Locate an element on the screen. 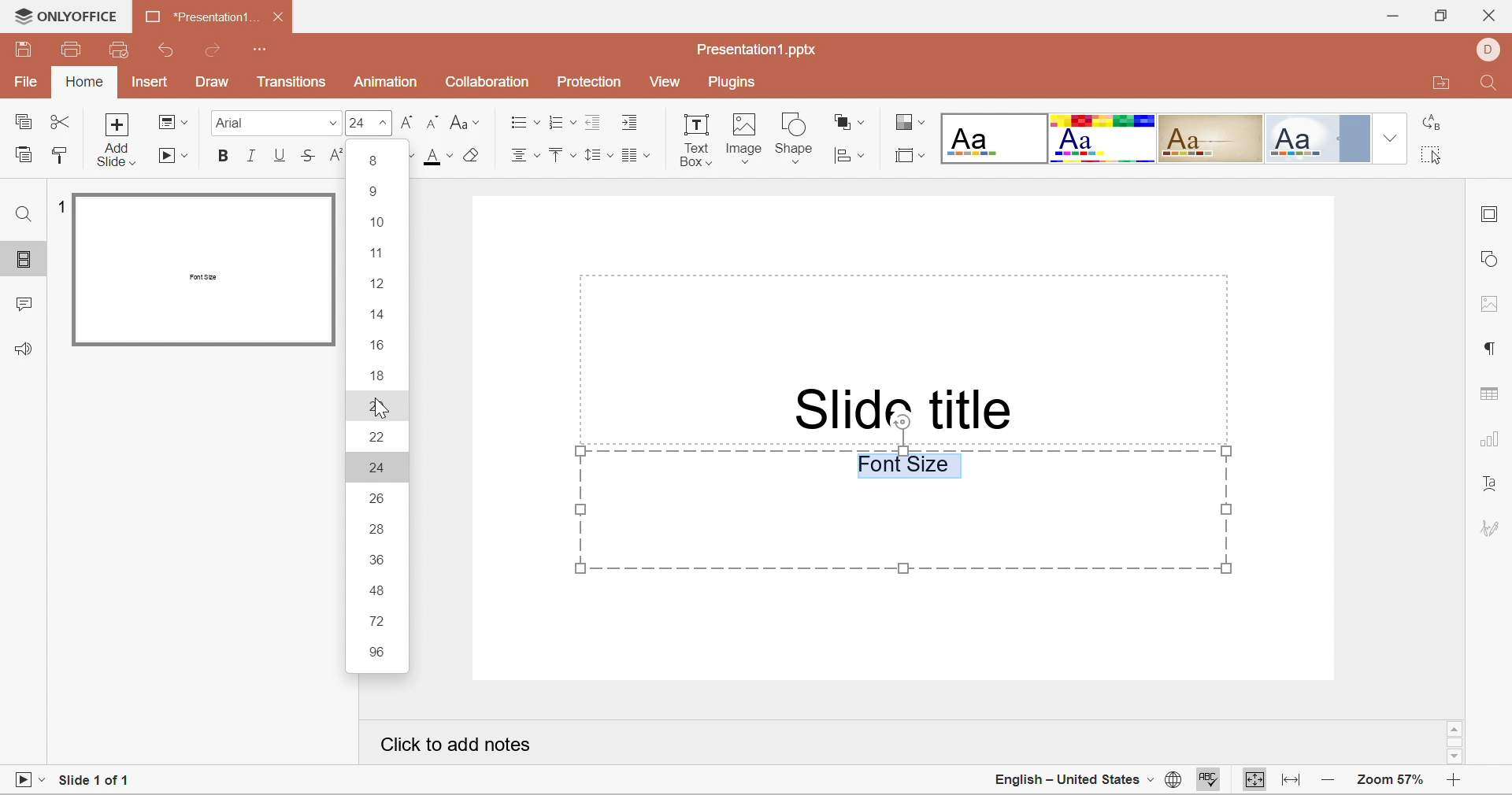 The width and height of the screenshot is (1512, 795). Zoom 57% is located at coordinates (1393, 780).